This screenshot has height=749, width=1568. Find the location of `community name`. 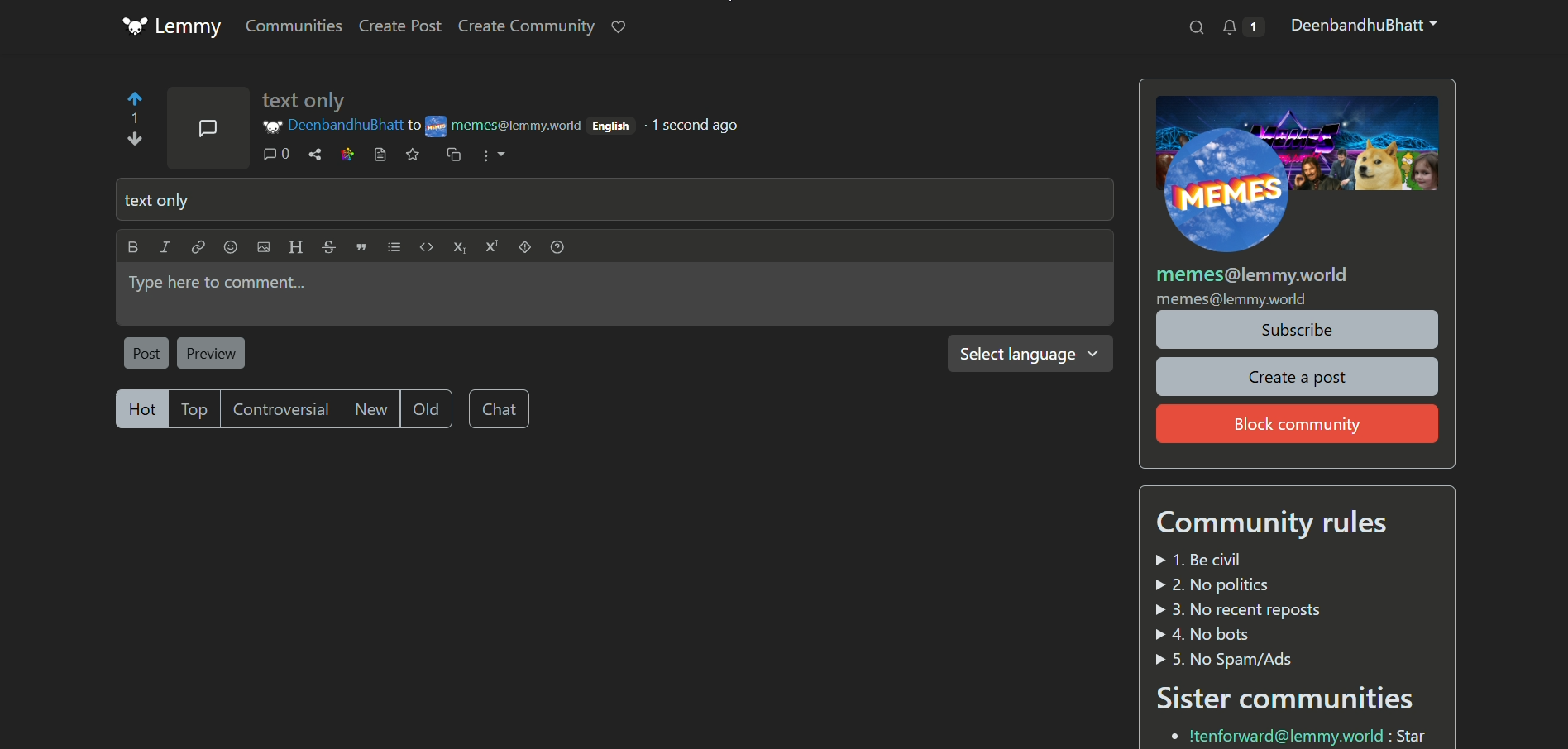

community name is located at coordinates (509, 127).